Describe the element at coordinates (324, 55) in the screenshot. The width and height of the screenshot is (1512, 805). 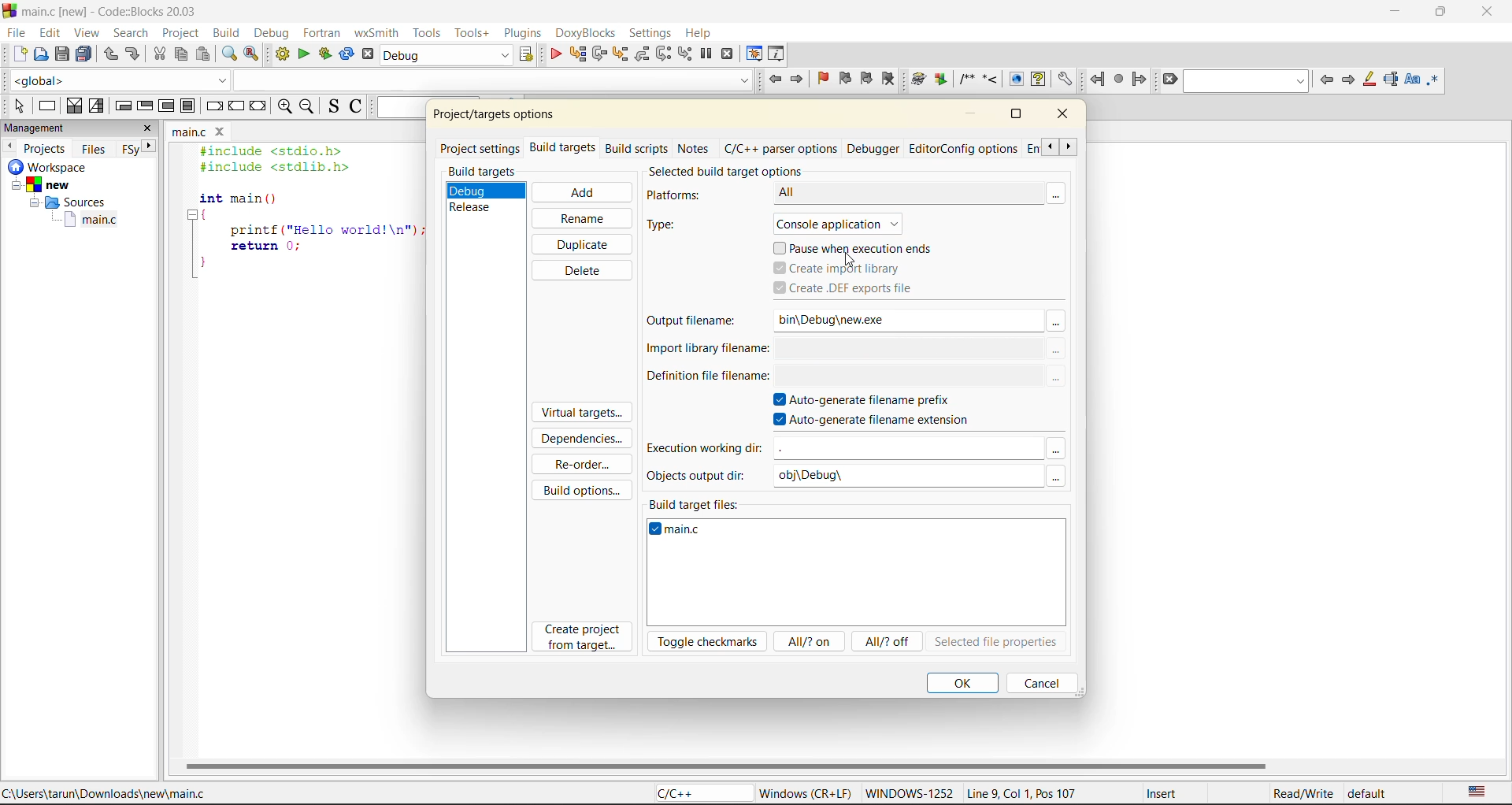
I see `build and run` at that location.